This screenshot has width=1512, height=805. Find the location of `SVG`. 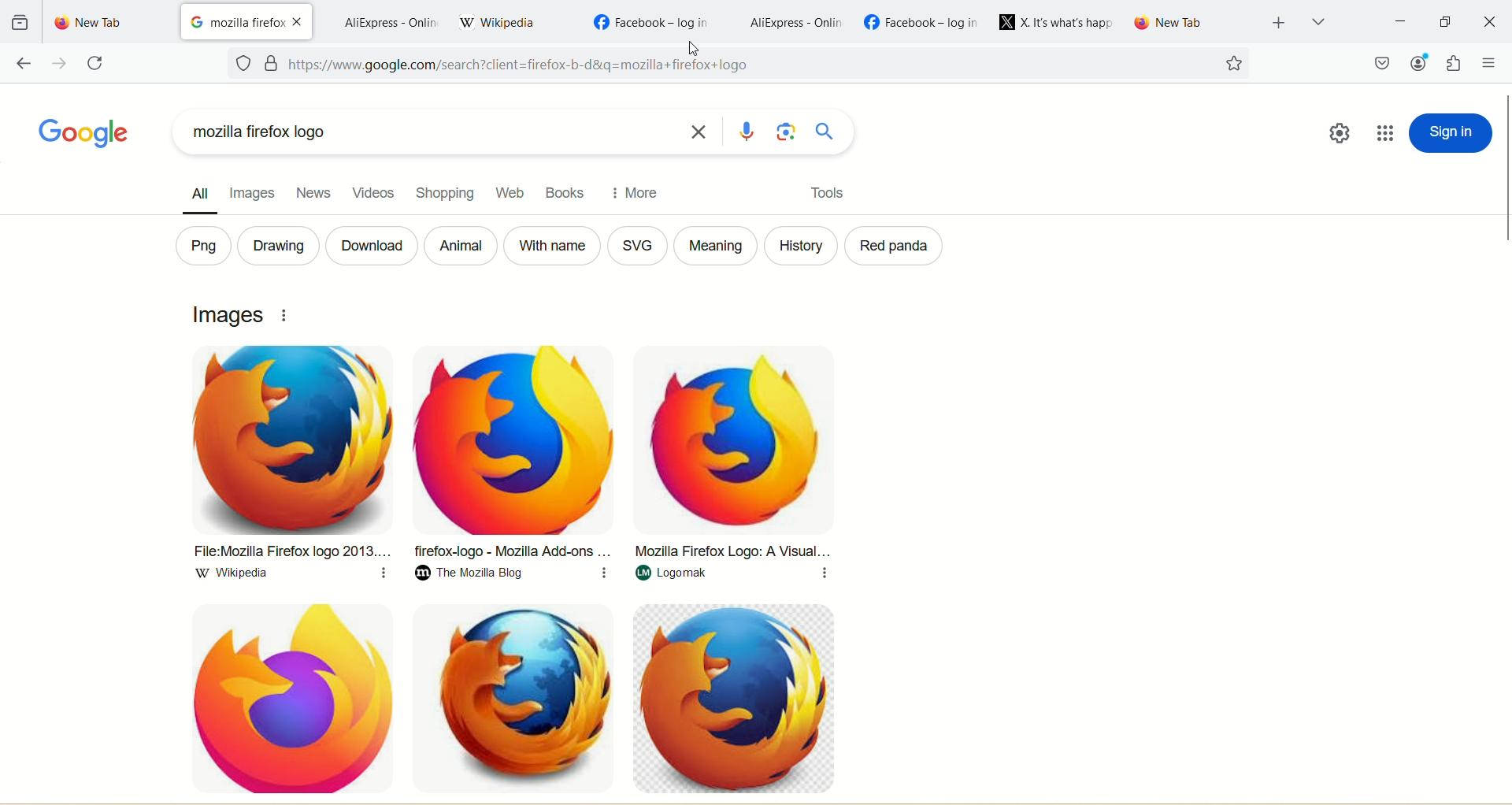

SVG is located at coordinates (636, 246).